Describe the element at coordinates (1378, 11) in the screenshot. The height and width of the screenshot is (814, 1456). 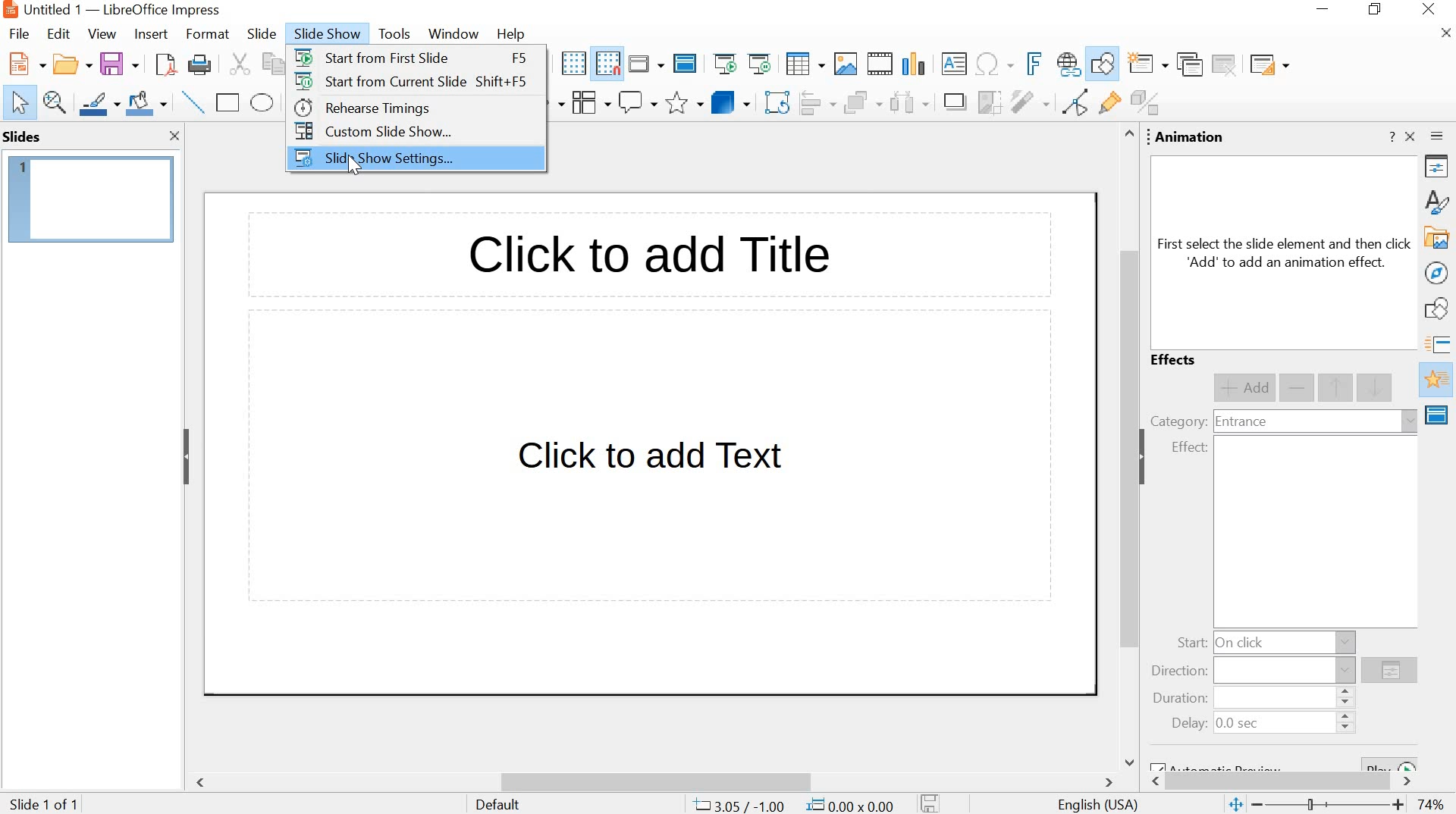
I see `maximize` at that location.